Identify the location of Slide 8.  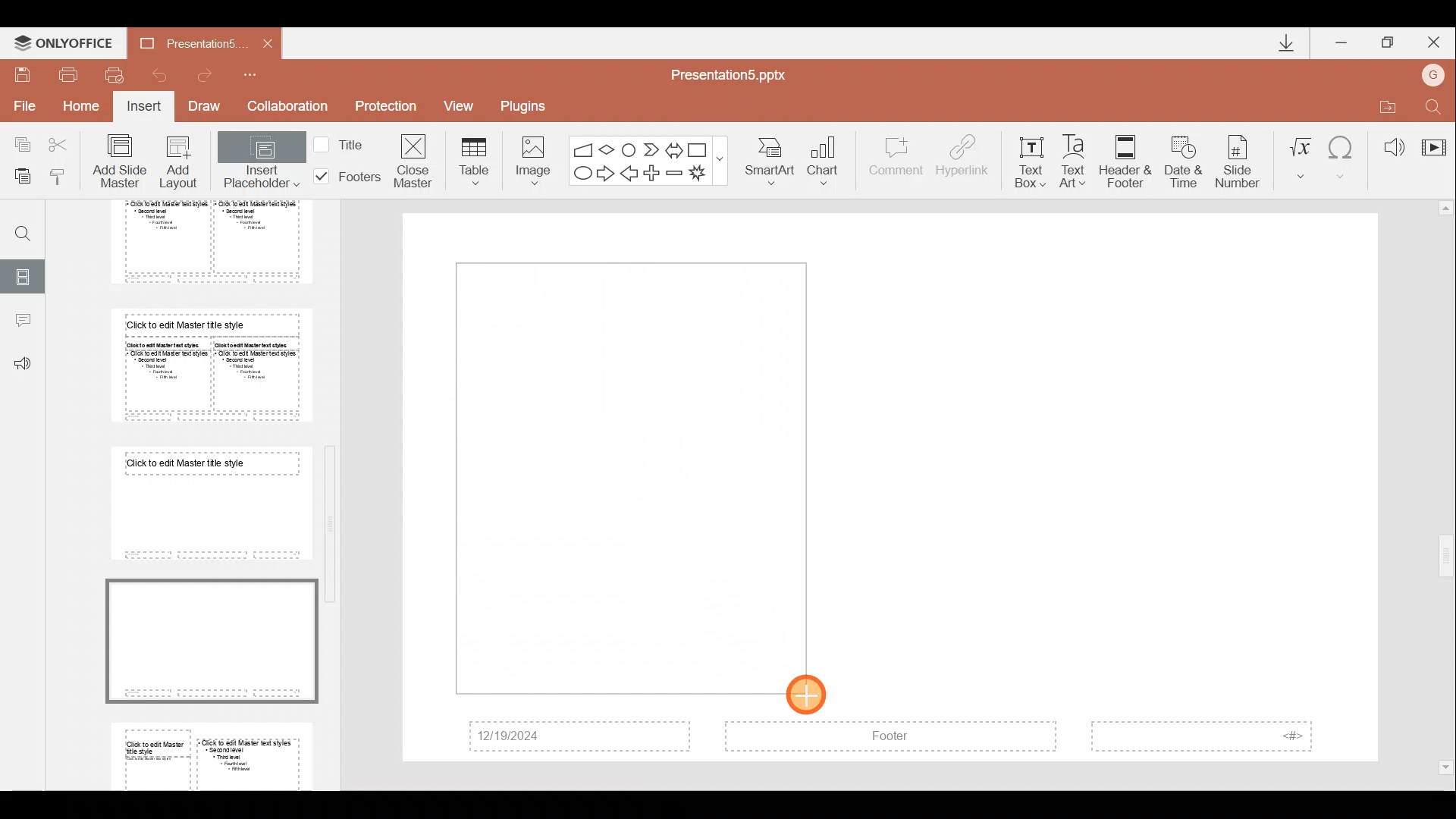
(210, 638).